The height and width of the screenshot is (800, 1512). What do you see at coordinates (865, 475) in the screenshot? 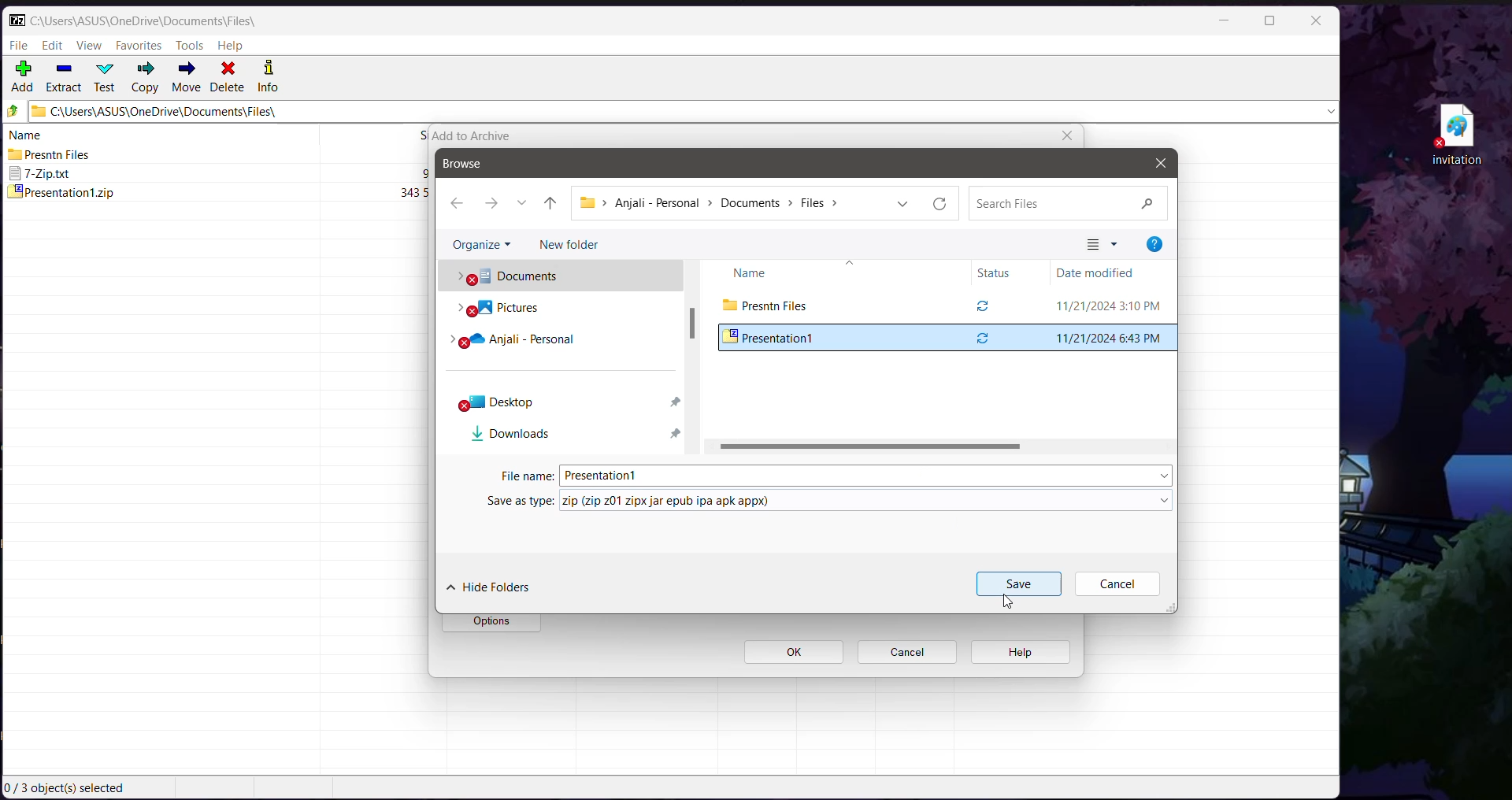
I see `Set the File Name` at bounding box center [865, 475].